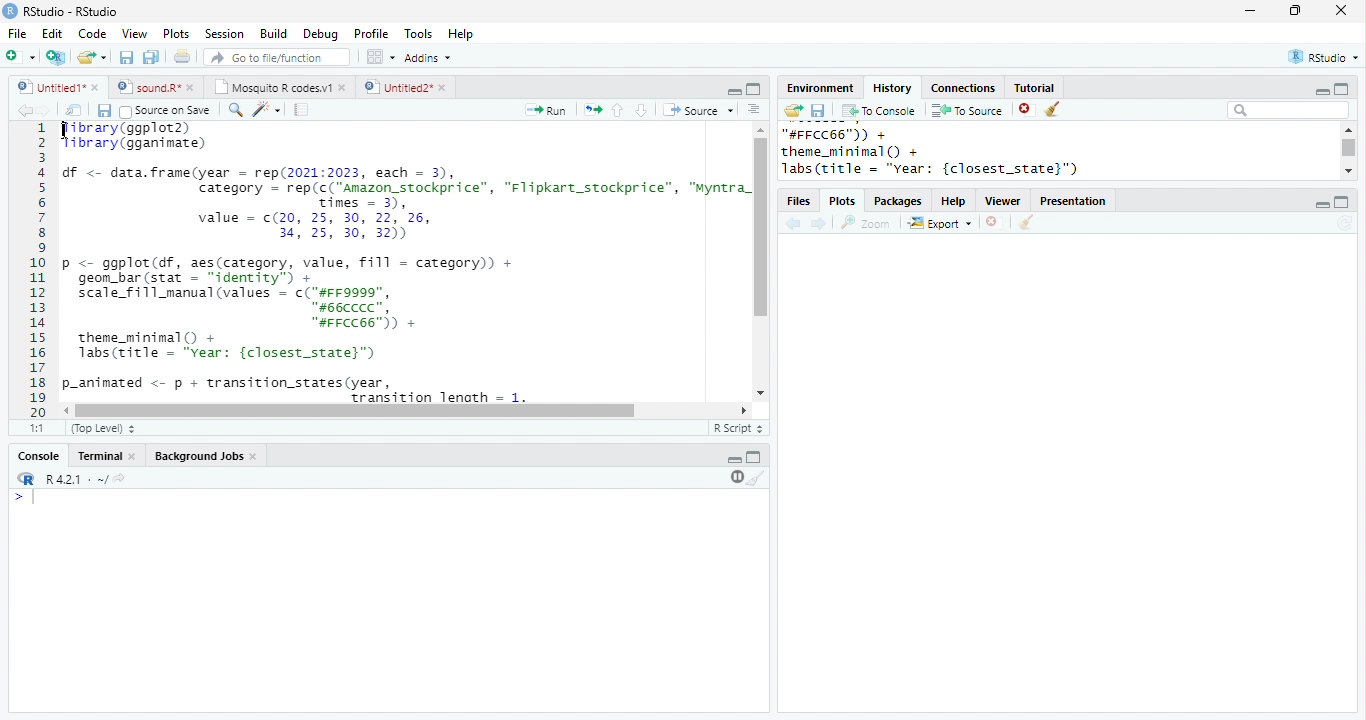 The height and width of the screenshot is (720, 1366). What do you see at coordinates (266, 109) in the screenshot?
I see `code tools` at bounding box center [266, 109].